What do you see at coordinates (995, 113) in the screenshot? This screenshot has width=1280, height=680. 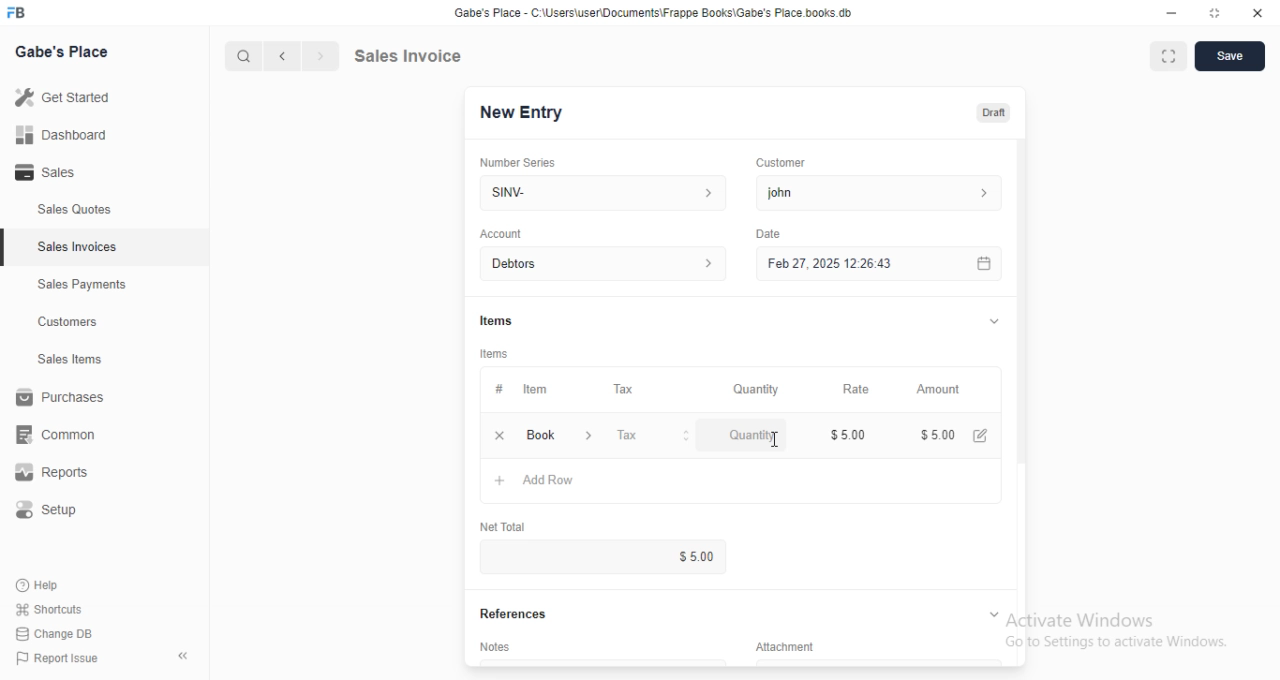 I see `Draft` at bounding box center [995, 113].